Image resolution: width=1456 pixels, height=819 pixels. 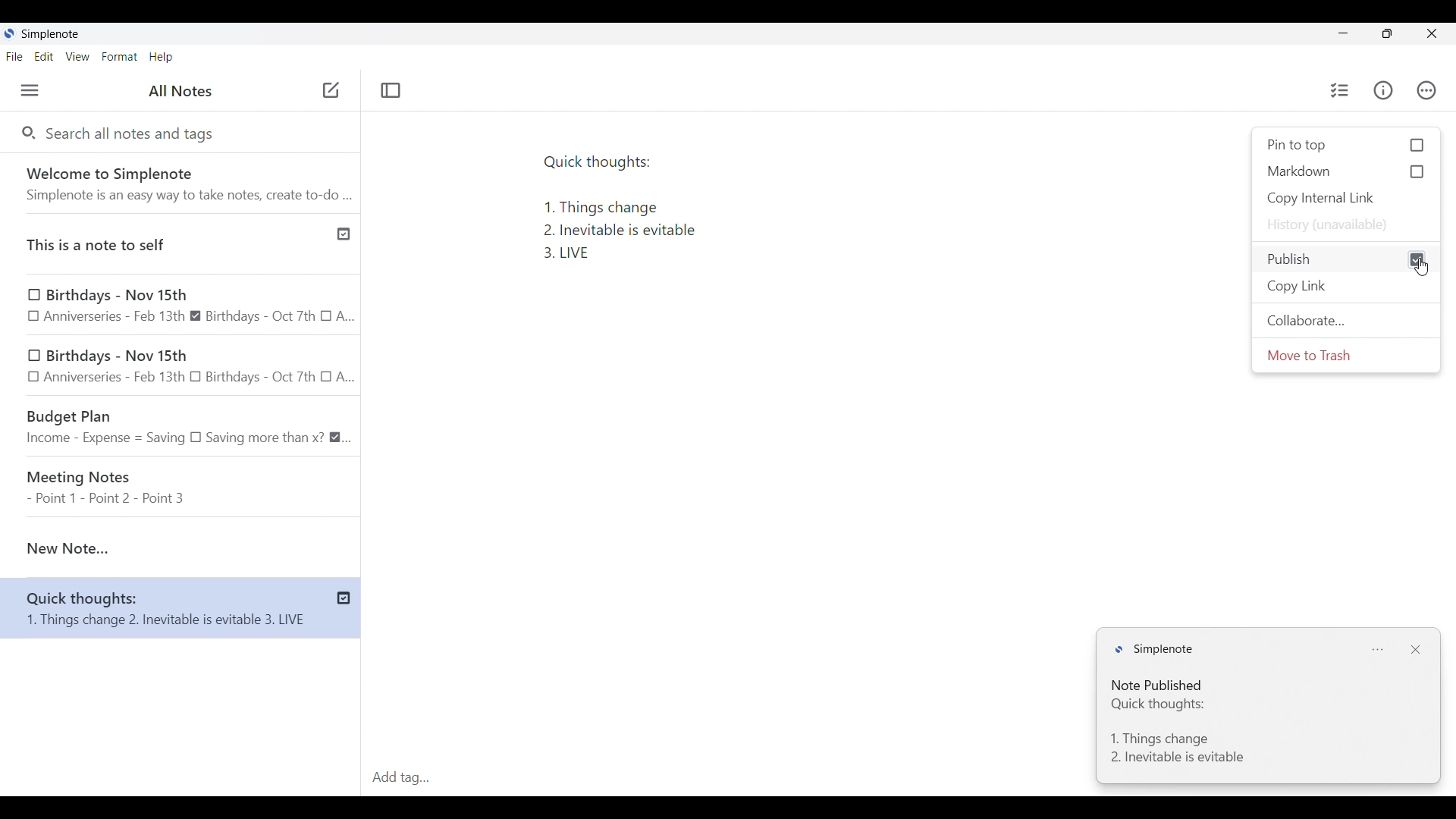 I want to click on Edit menu, so click(x=44, y=56).